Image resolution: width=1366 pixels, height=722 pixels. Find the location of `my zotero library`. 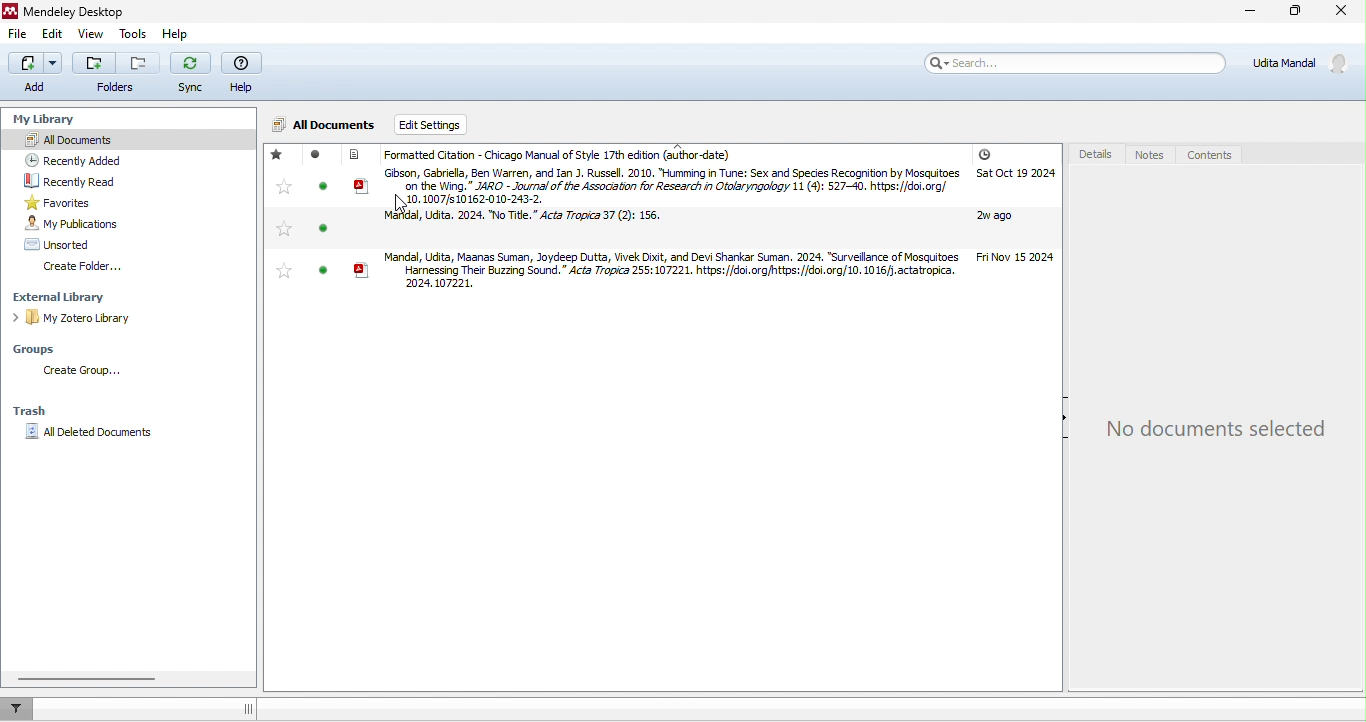

my zotero library is located at coordinates (76, 318).